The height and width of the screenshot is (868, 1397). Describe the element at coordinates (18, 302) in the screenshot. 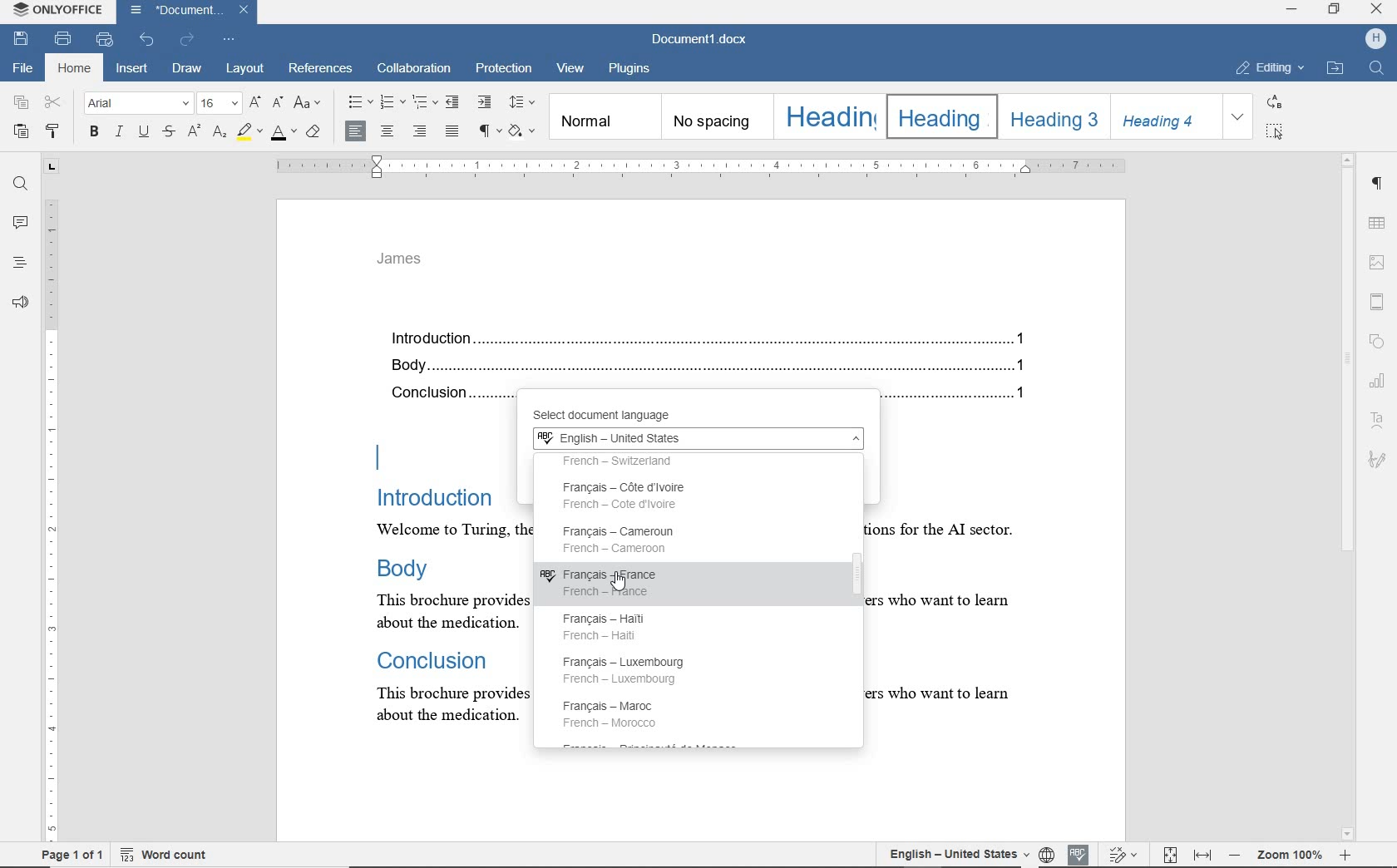

I see `feedback & support` at that location.